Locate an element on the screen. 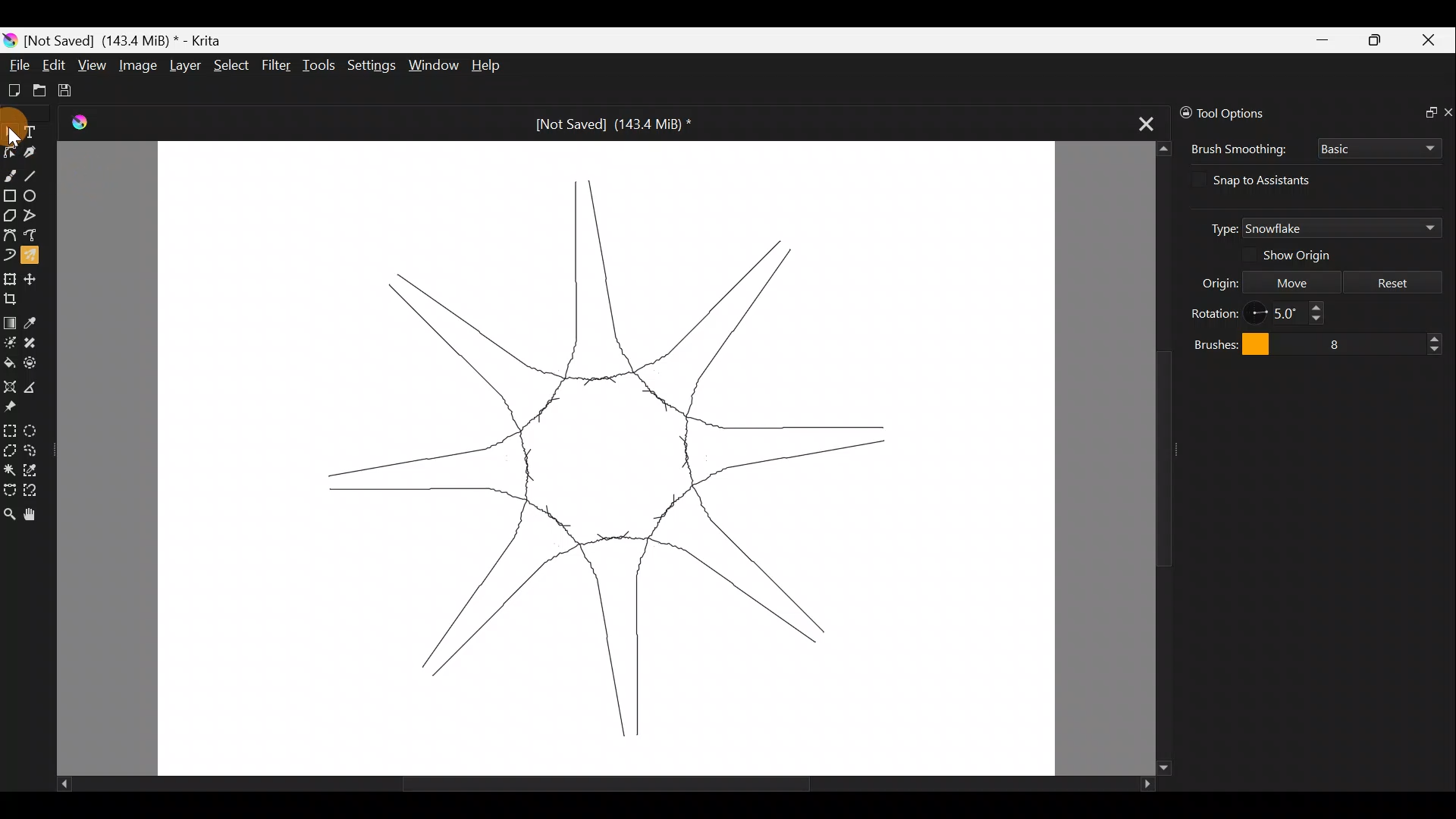  Not Saved] (143.4 MiB) * is located at coordinates (601, 124).